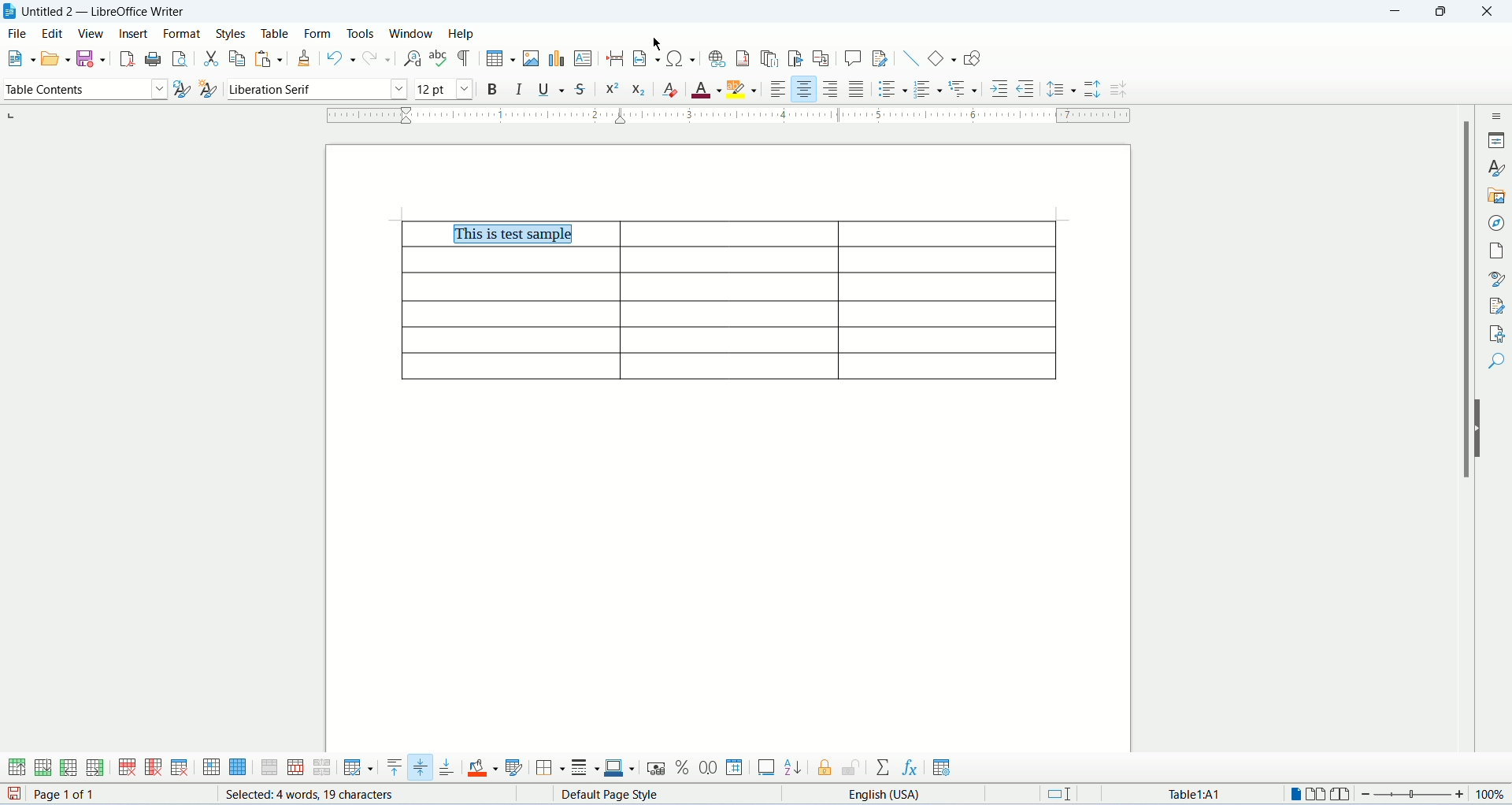 This screenshot has height=805, width=1512. What do you see at coordinates (439, 57) in the screenshot?
I see `spell check` at bounding box center [439, 57].